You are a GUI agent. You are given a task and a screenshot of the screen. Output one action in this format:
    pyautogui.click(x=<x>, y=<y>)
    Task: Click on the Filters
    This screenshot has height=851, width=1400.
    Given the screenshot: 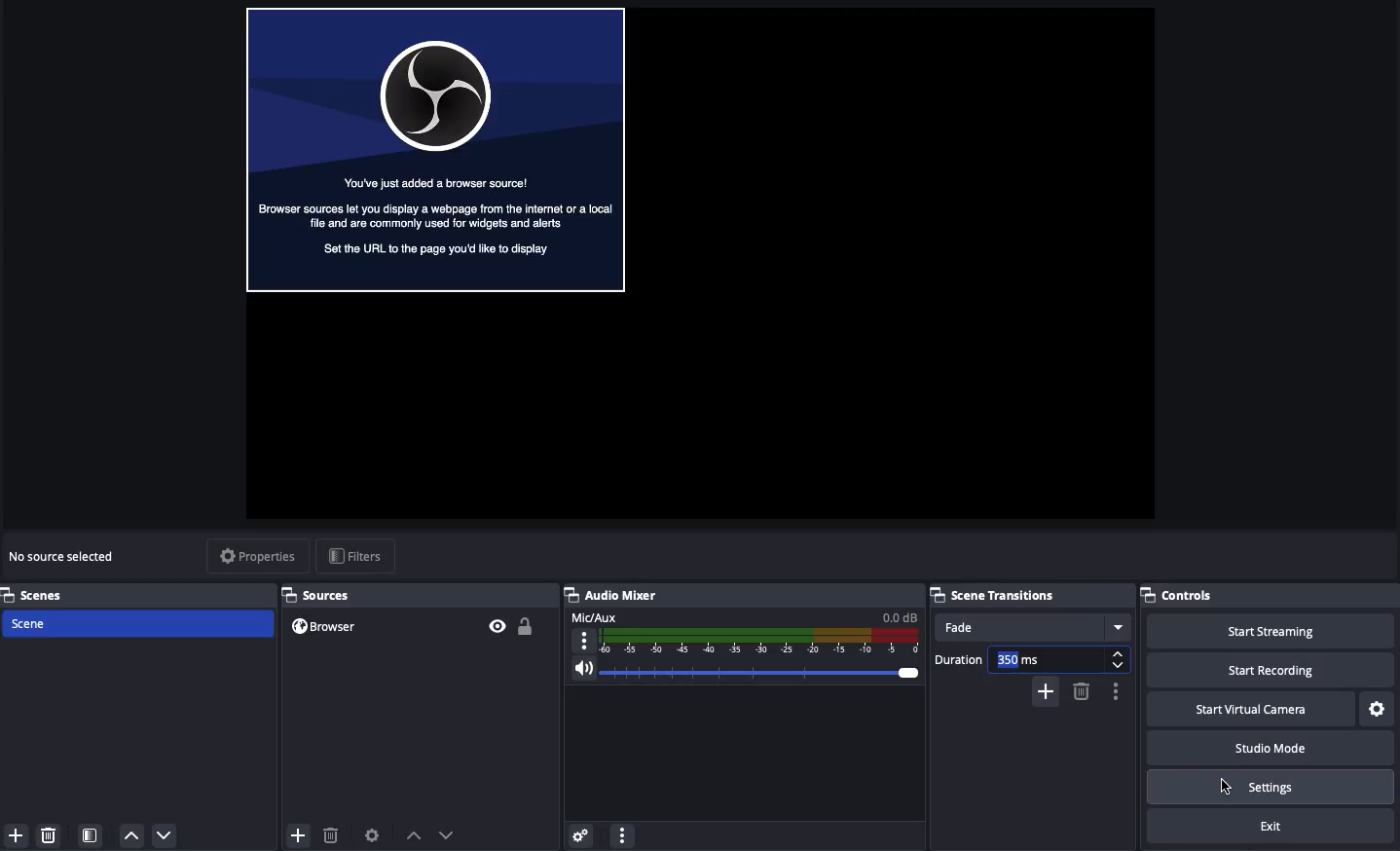 What is the action you would take?
    pyautogui.click(x=356, y=557)
    